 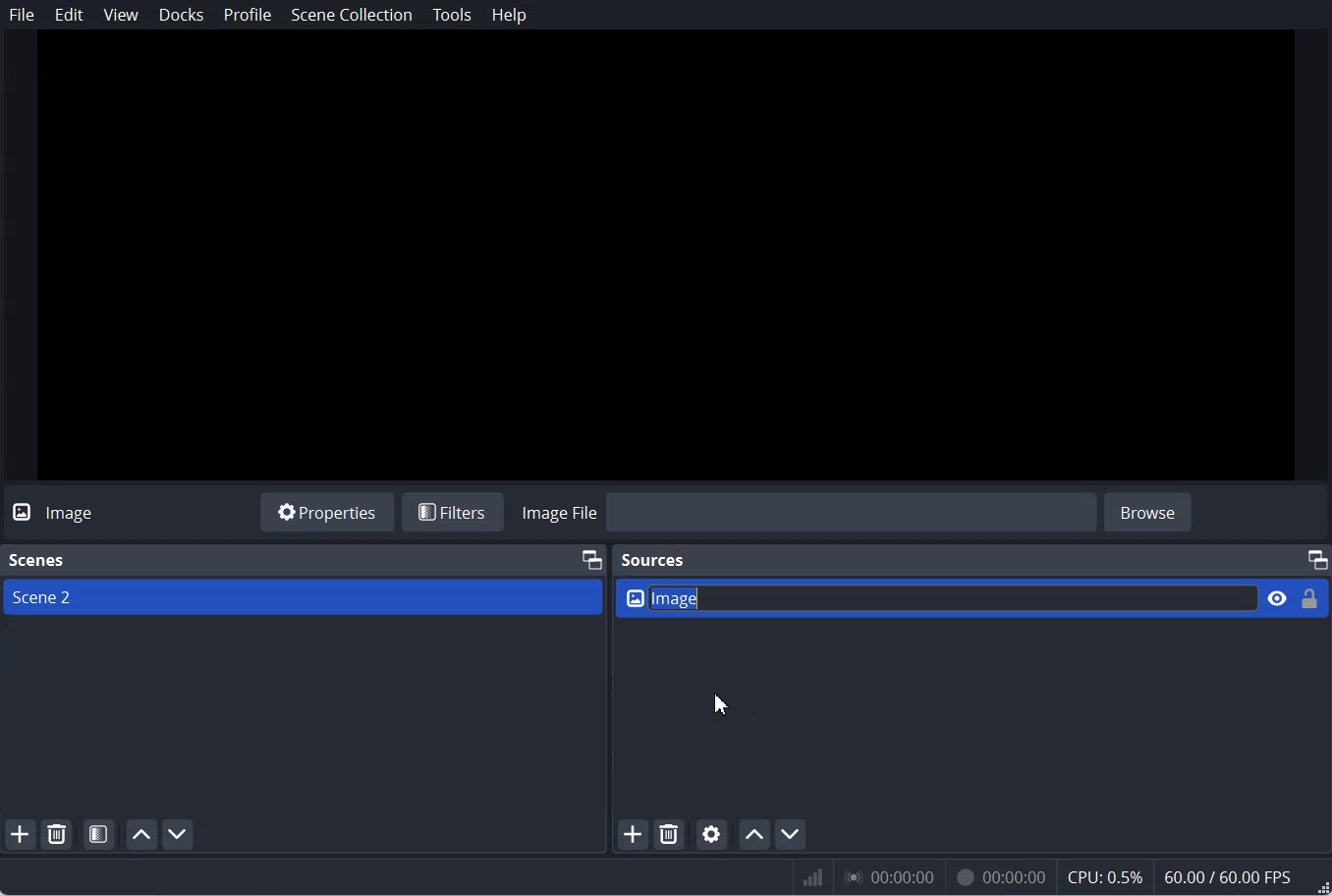 What do you see at coordinates (1316, 558) in the screenshot?
I see `Maximum` at bounding box center [1316, 558].